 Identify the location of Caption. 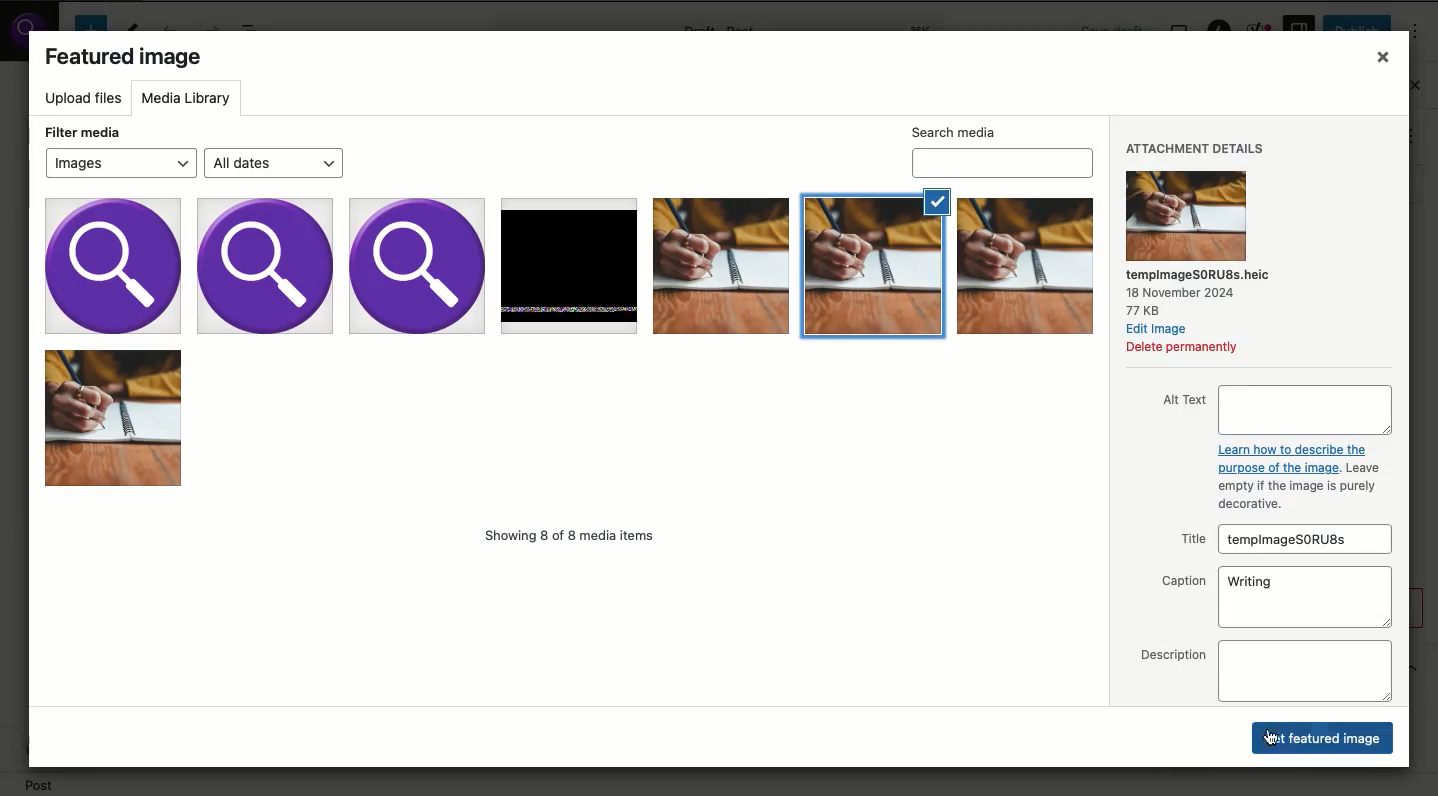
(1305, 599).